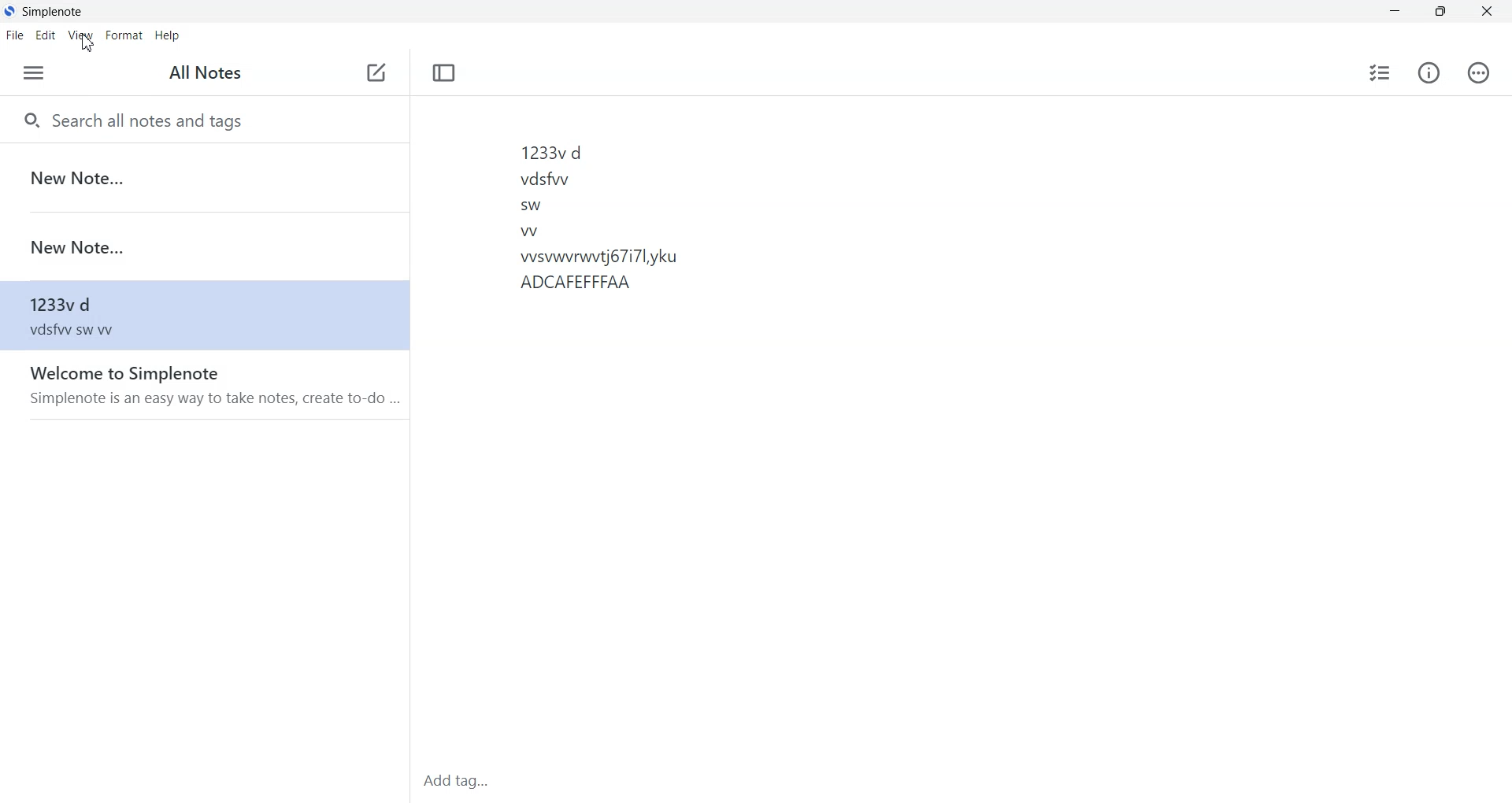 This screenshot has width=1512, height=803. Describe the element at coordinates (202, 247) in the screenshot. I see `New Note ` at that location.